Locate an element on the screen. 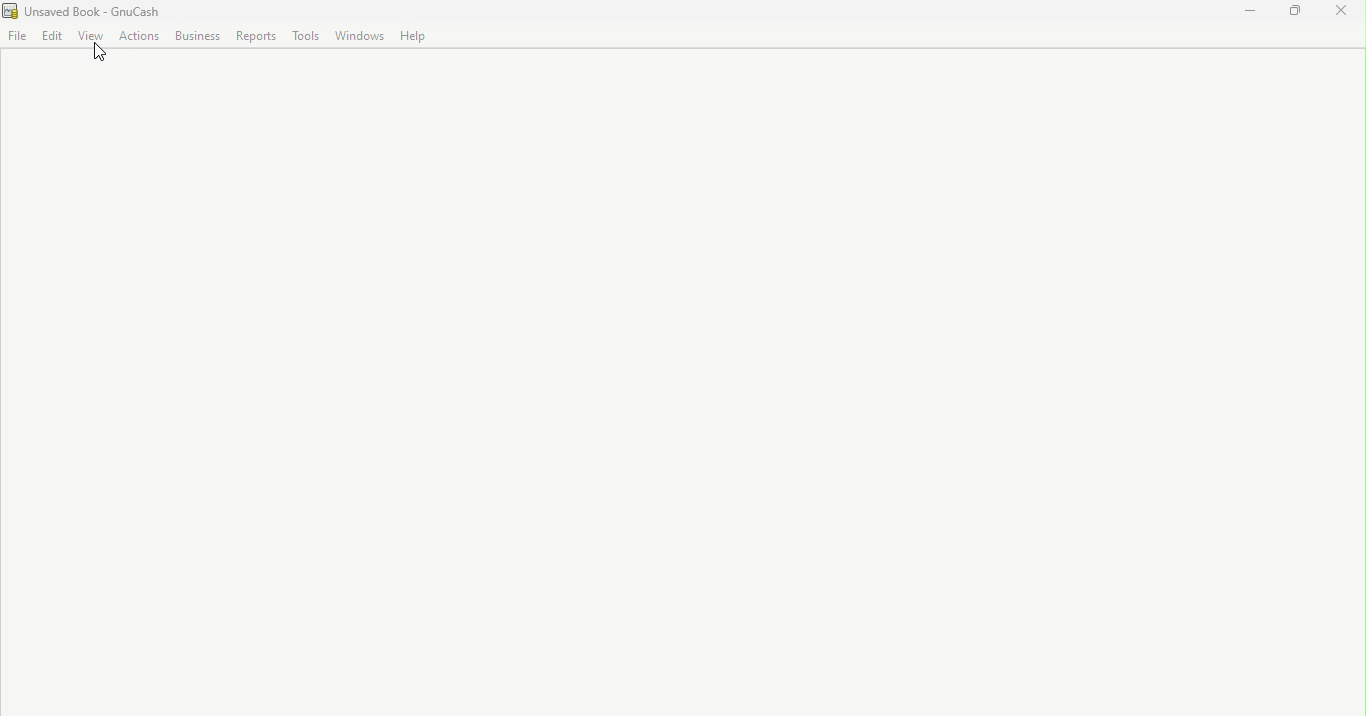 Image resolution: width=1366 pixels, height=716 pixels. Reports is located at coordinates (256, 37).